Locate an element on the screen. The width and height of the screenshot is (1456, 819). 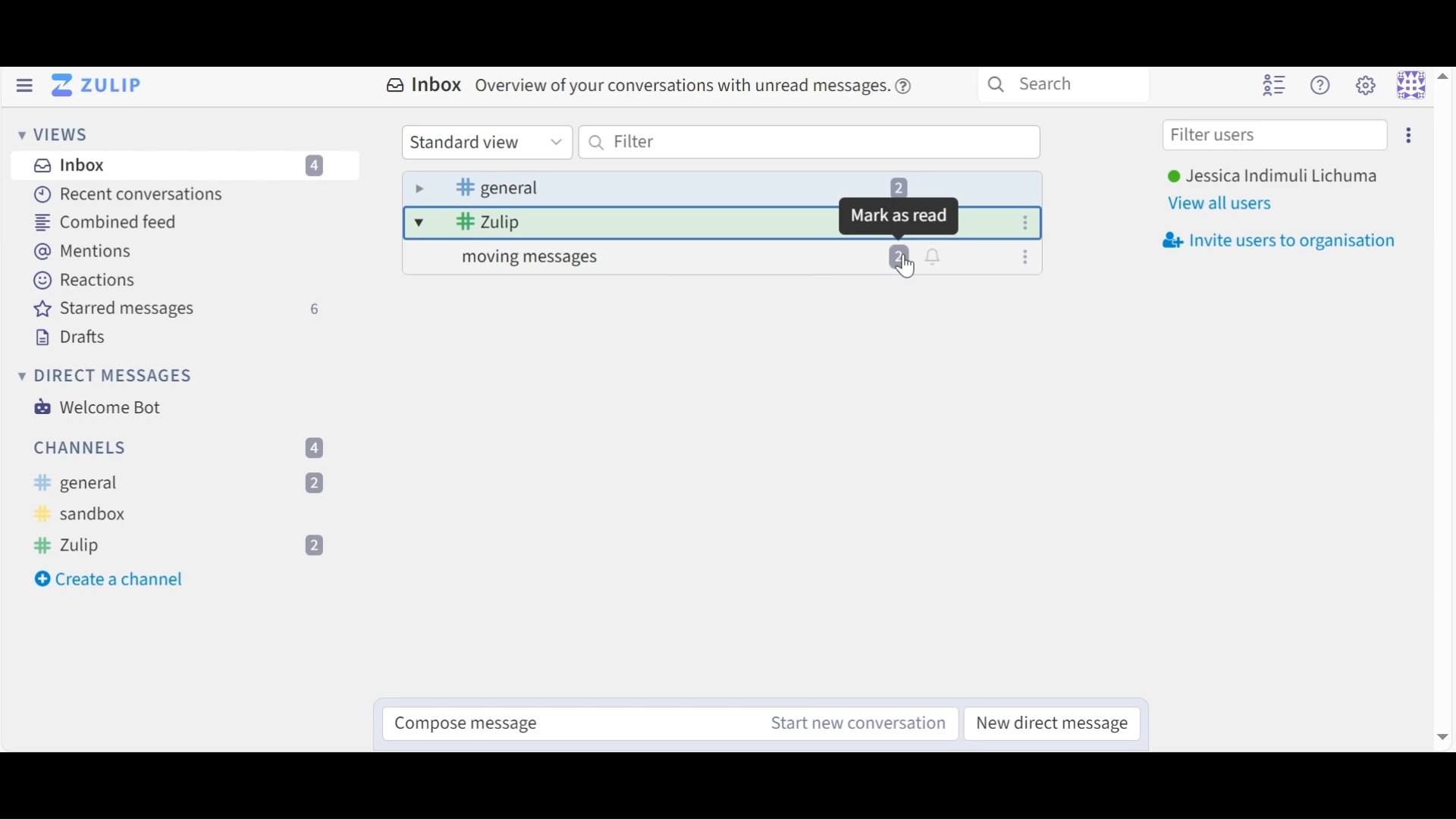
Recent Conversations is located at coordinates (131, 195).